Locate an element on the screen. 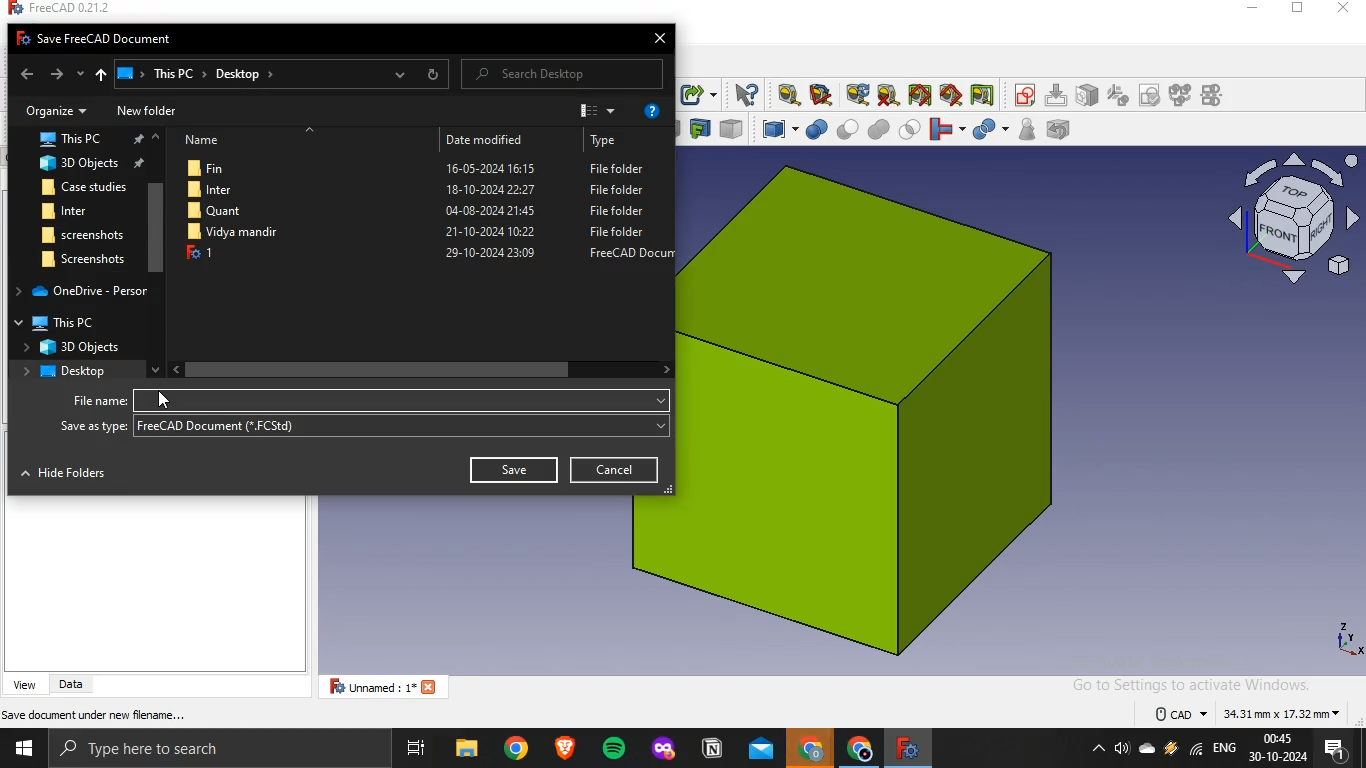  english is located at coordinates (1227, 751).